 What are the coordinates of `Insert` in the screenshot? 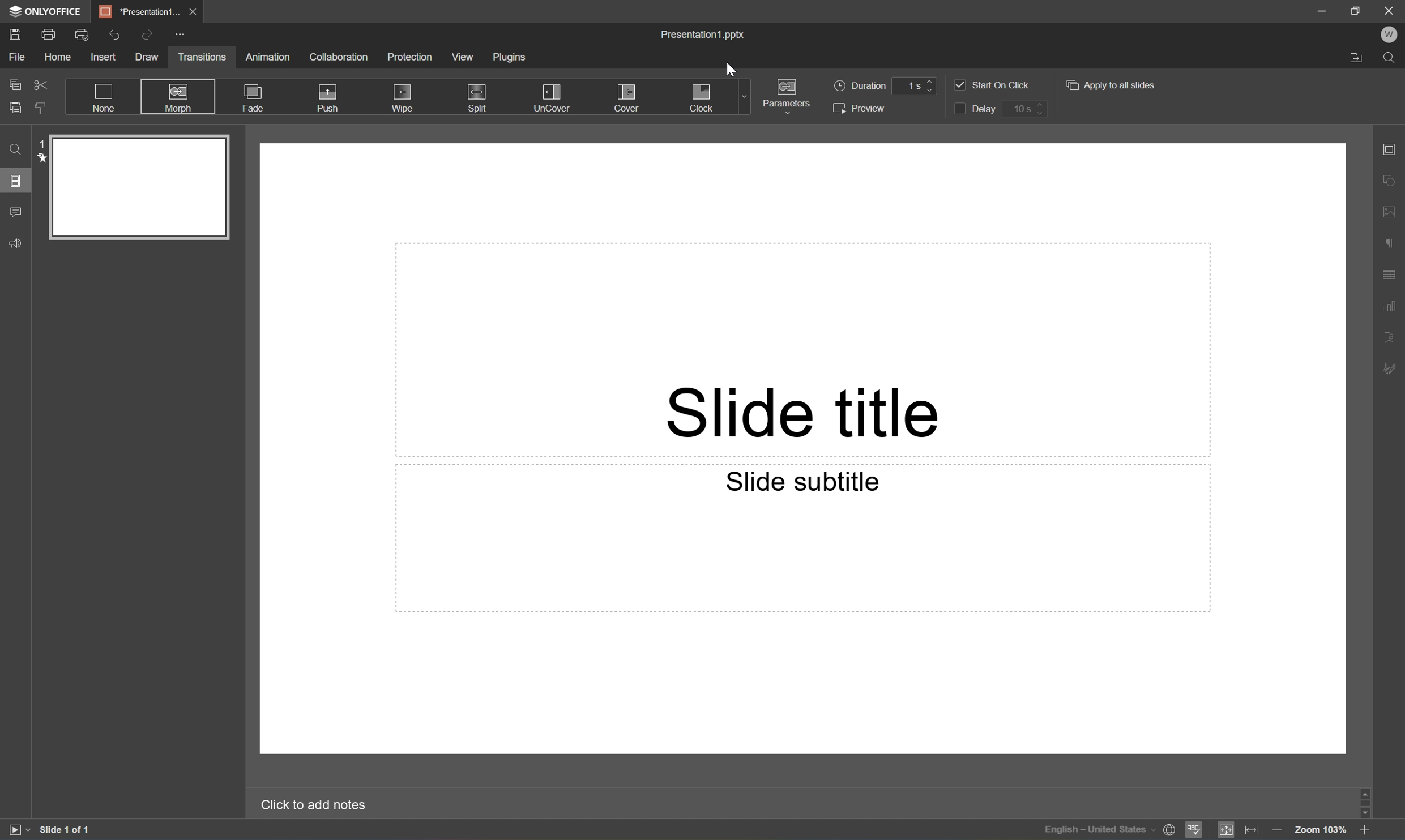 It's located at (106, 57).